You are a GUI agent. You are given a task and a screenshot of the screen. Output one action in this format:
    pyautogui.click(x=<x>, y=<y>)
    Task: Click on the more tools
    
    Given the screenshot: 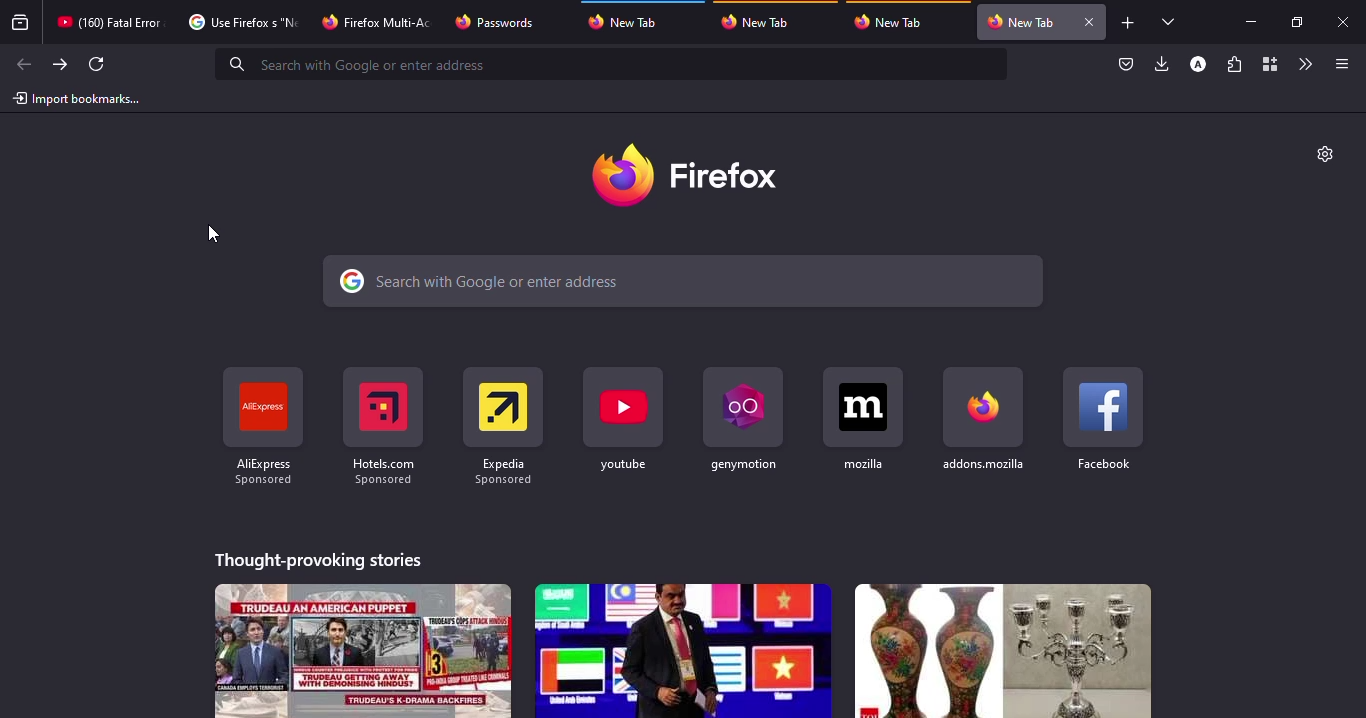 What is the action you would take?
    pyautogui.click(x=1303, y=65)
    